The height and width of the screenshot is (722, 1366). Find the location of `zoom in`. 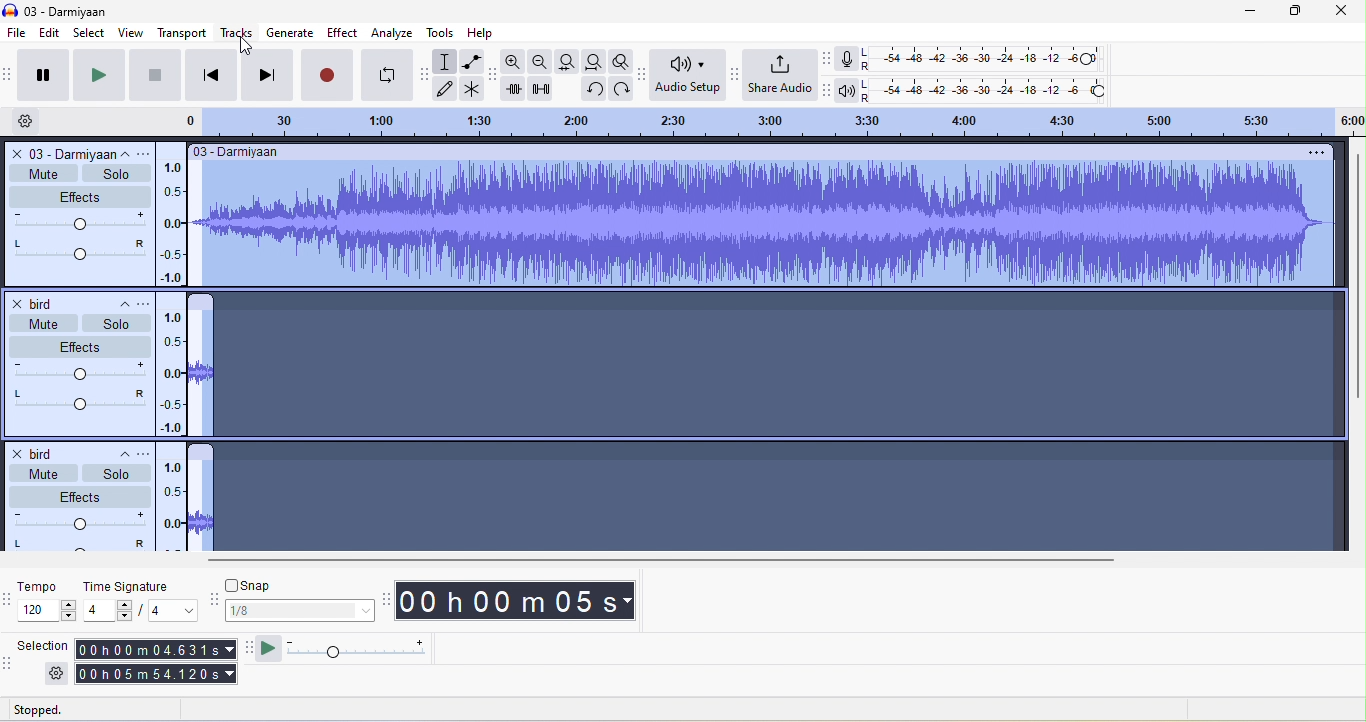

zoom in is located at coordinates (514, 61).